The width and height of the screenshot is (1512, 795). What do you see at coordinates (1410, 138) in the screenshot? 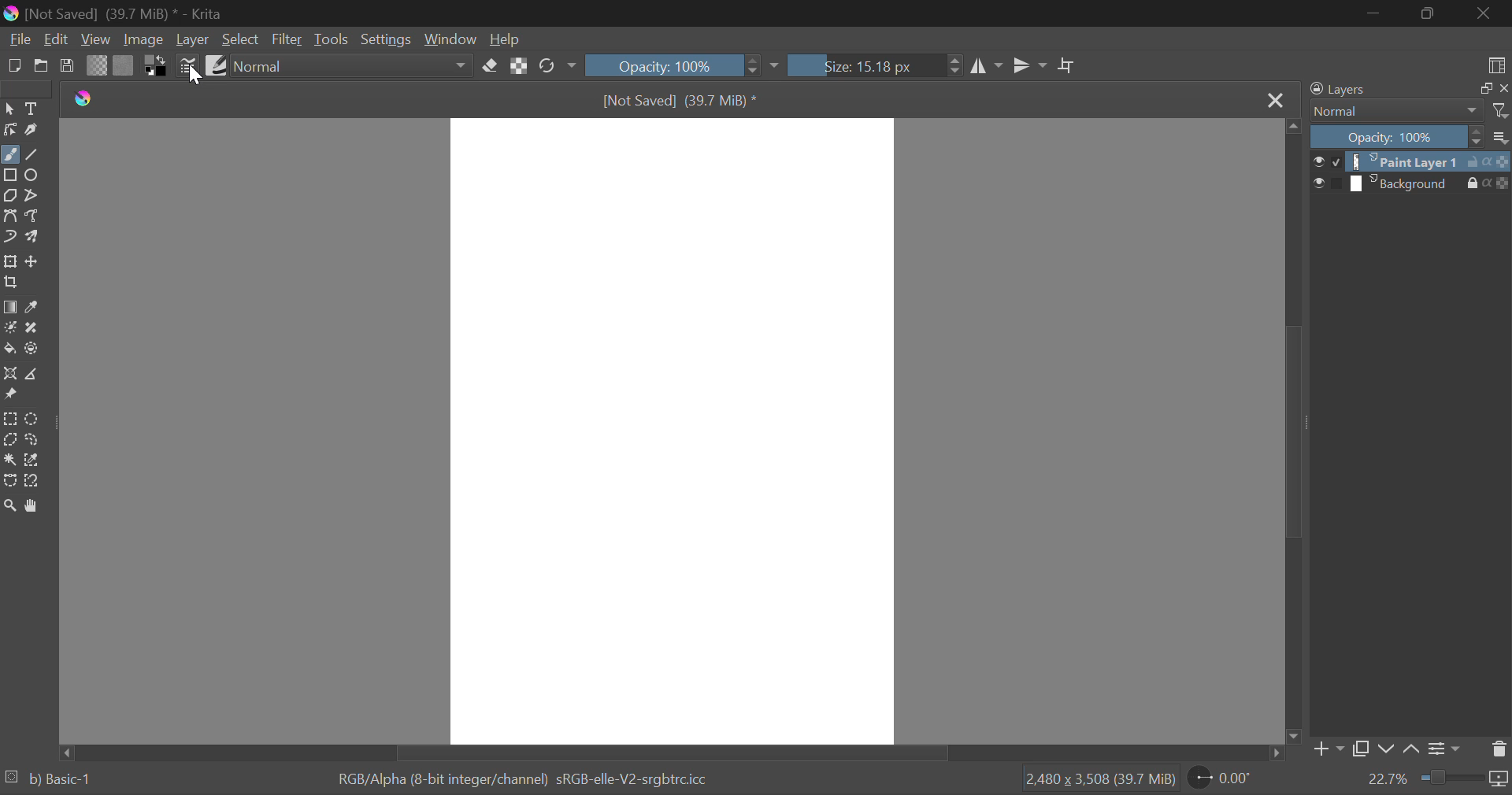
I see `Opacity: 100%` at bounding box center [1410, 138].